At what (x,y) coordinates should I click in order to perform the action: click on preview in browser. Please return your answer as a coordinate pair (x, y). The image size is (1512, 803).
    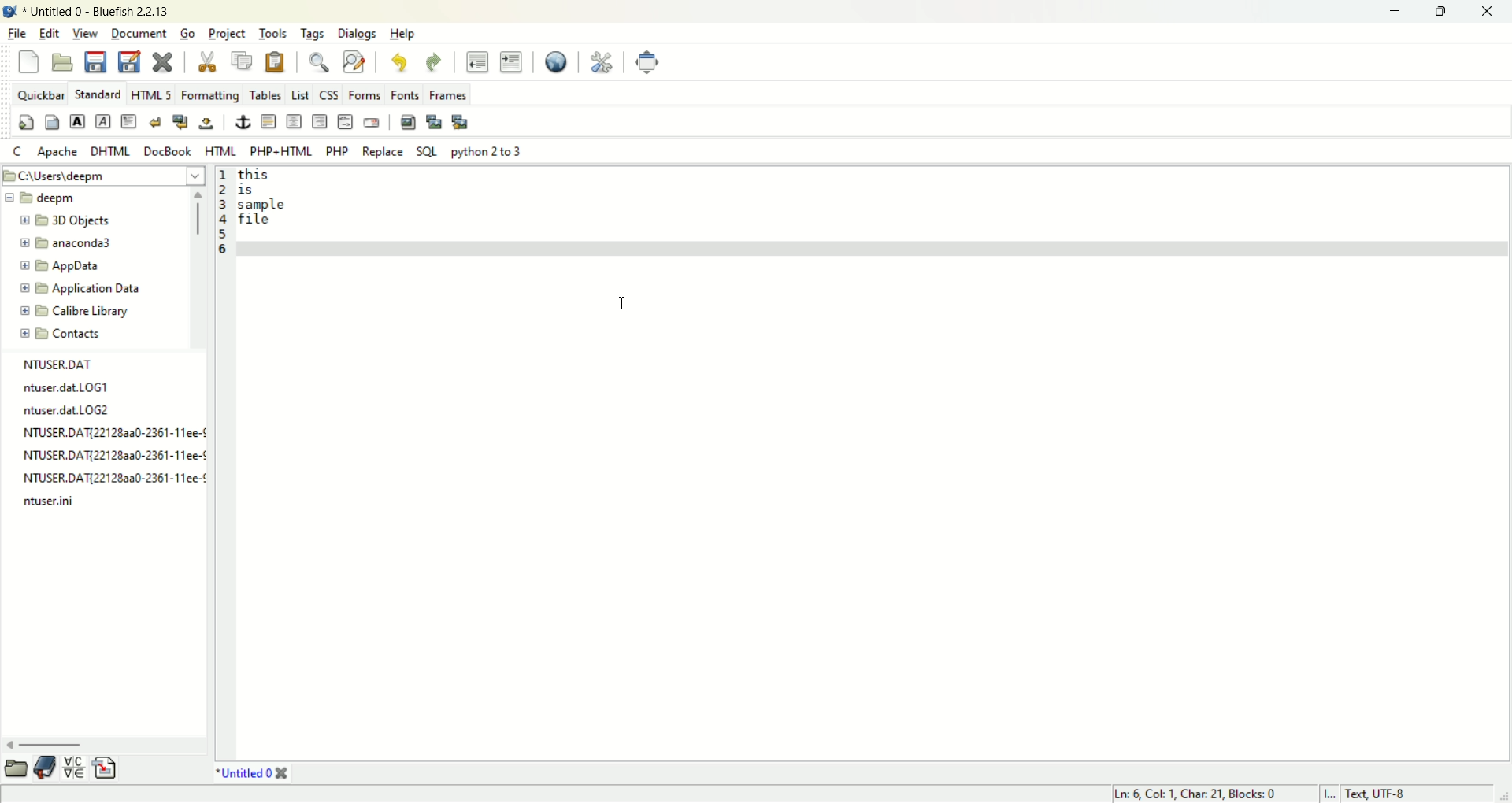
    Looking at the image, I should click on (561, 58).